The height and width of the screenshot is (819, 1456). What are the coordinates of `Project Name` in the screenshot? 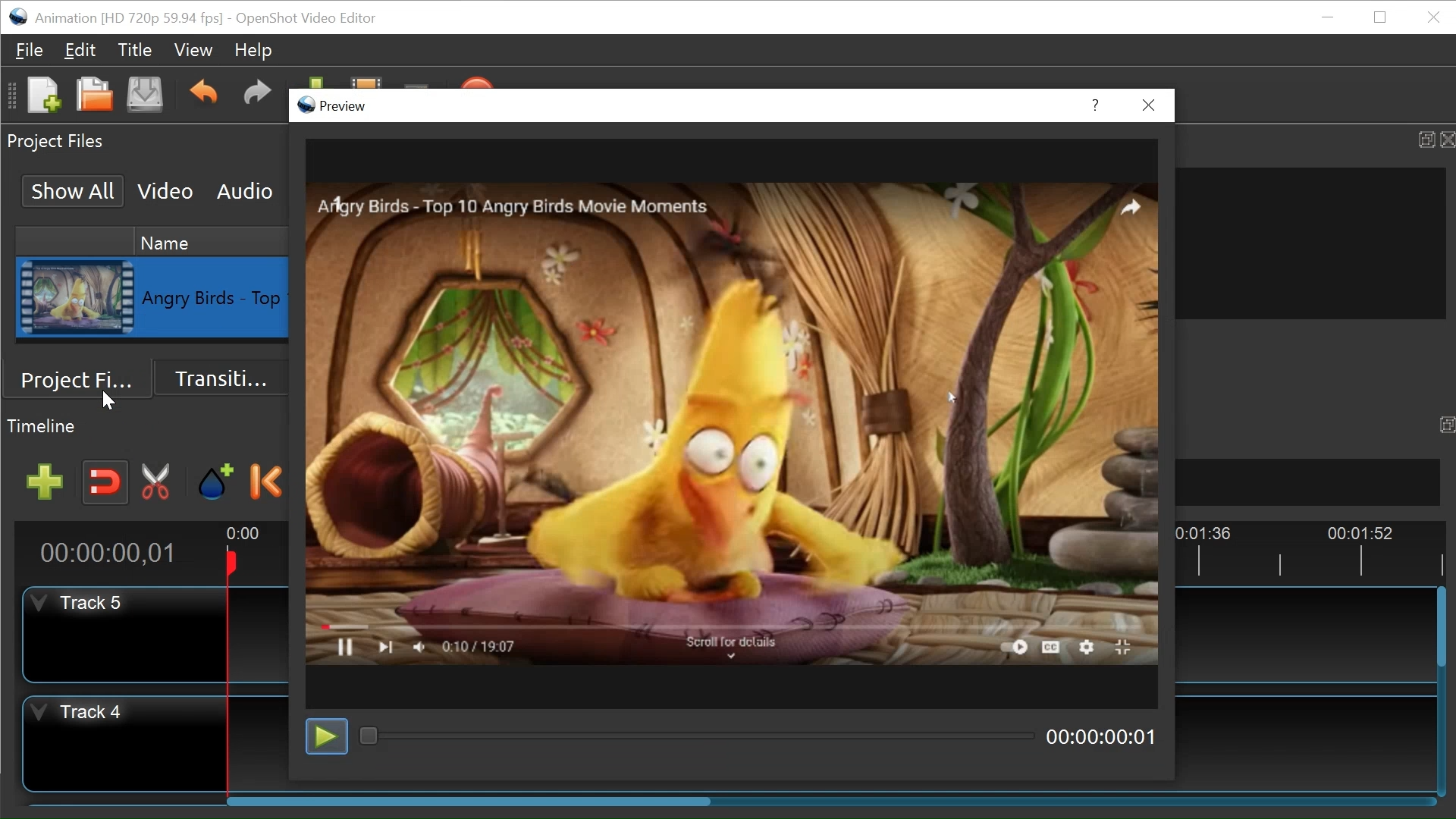 It's located at (129, 20).